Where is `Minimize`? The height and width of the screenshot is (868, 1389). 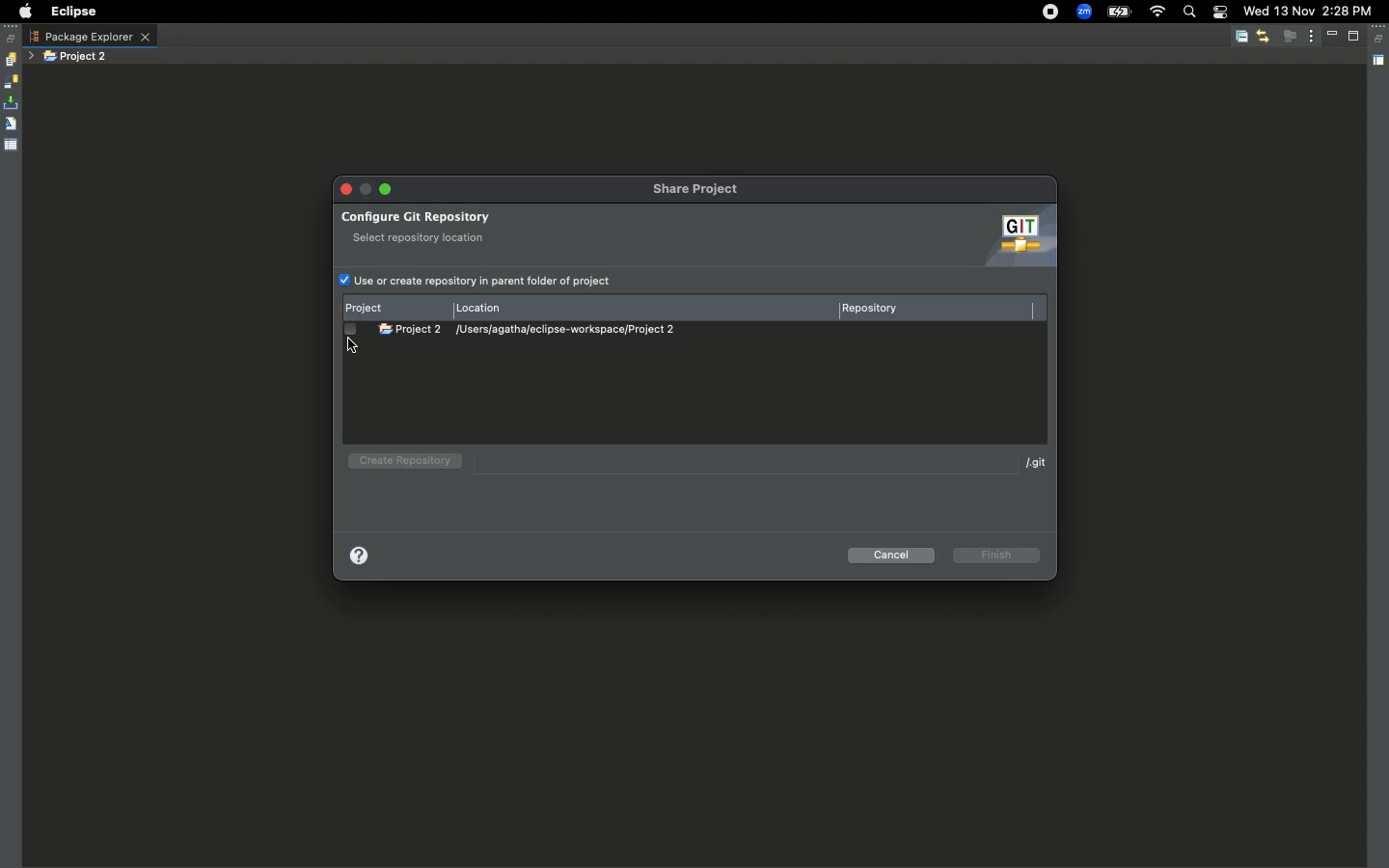
Minimize is located at coordinates (384, 189).